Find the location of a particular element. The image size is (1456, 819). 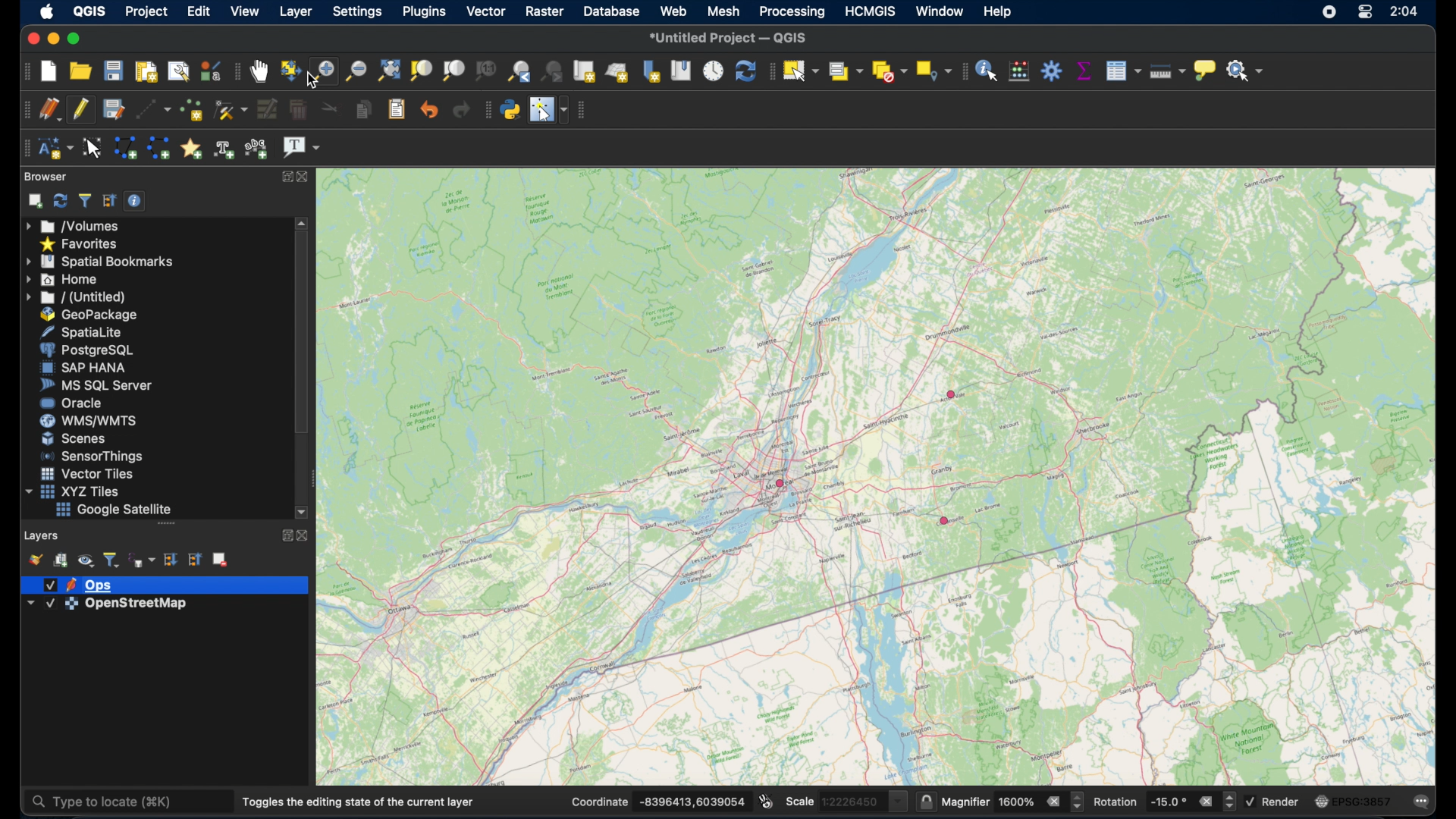

QGIS is located at coordinates (92, 12).